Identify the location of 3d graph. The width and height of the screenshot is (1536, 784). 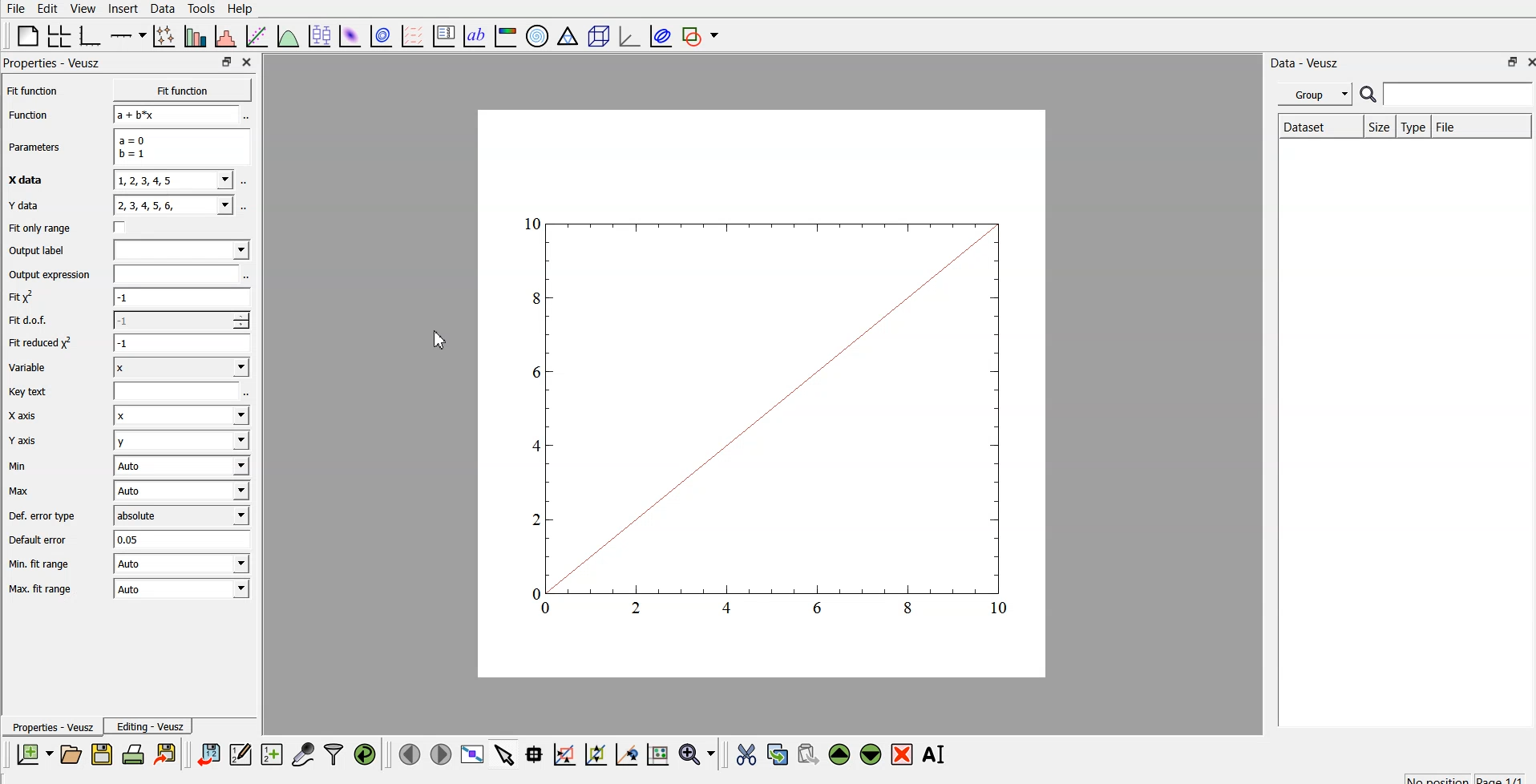
(632, 37).